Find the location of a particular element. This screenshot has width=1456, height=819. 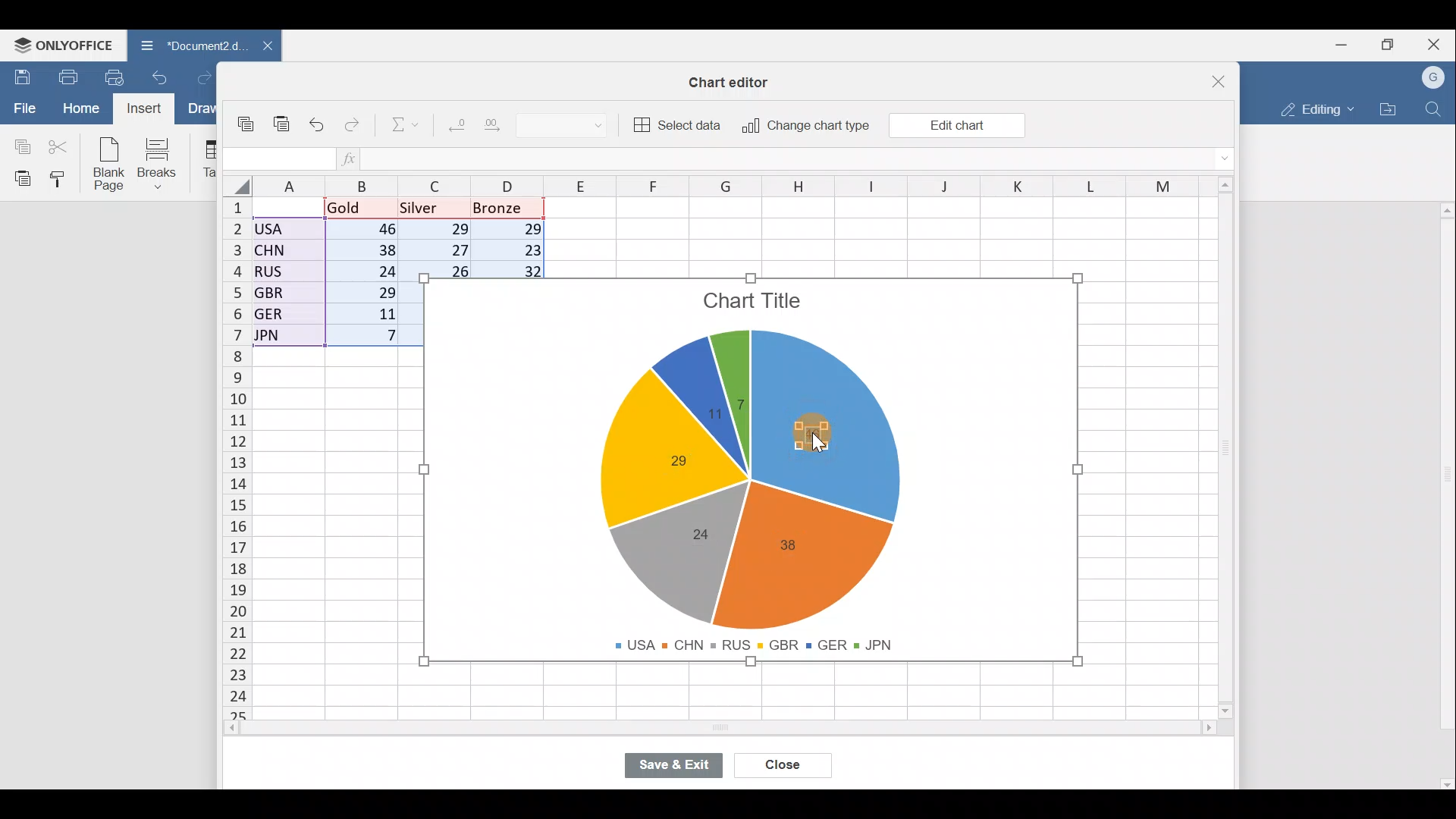

Rows is located at coordinates (237, 449).